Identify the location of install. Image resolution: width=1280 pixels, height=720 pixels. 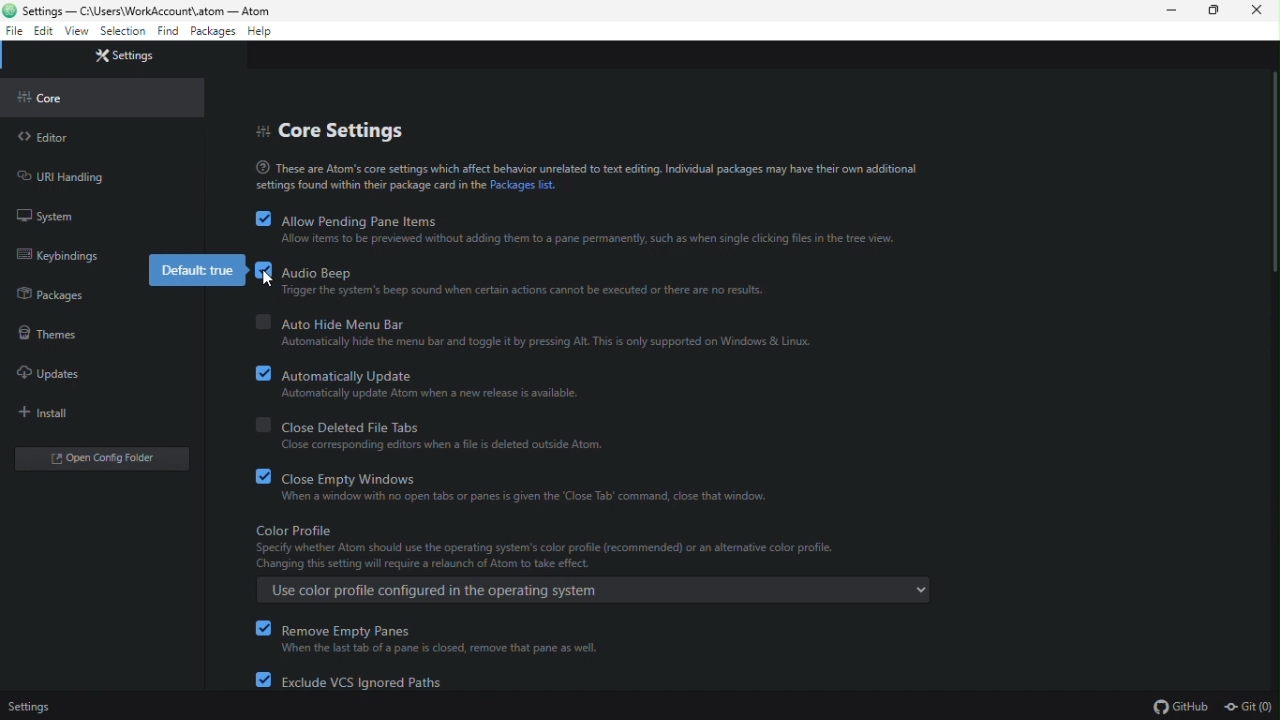
(47, 415).